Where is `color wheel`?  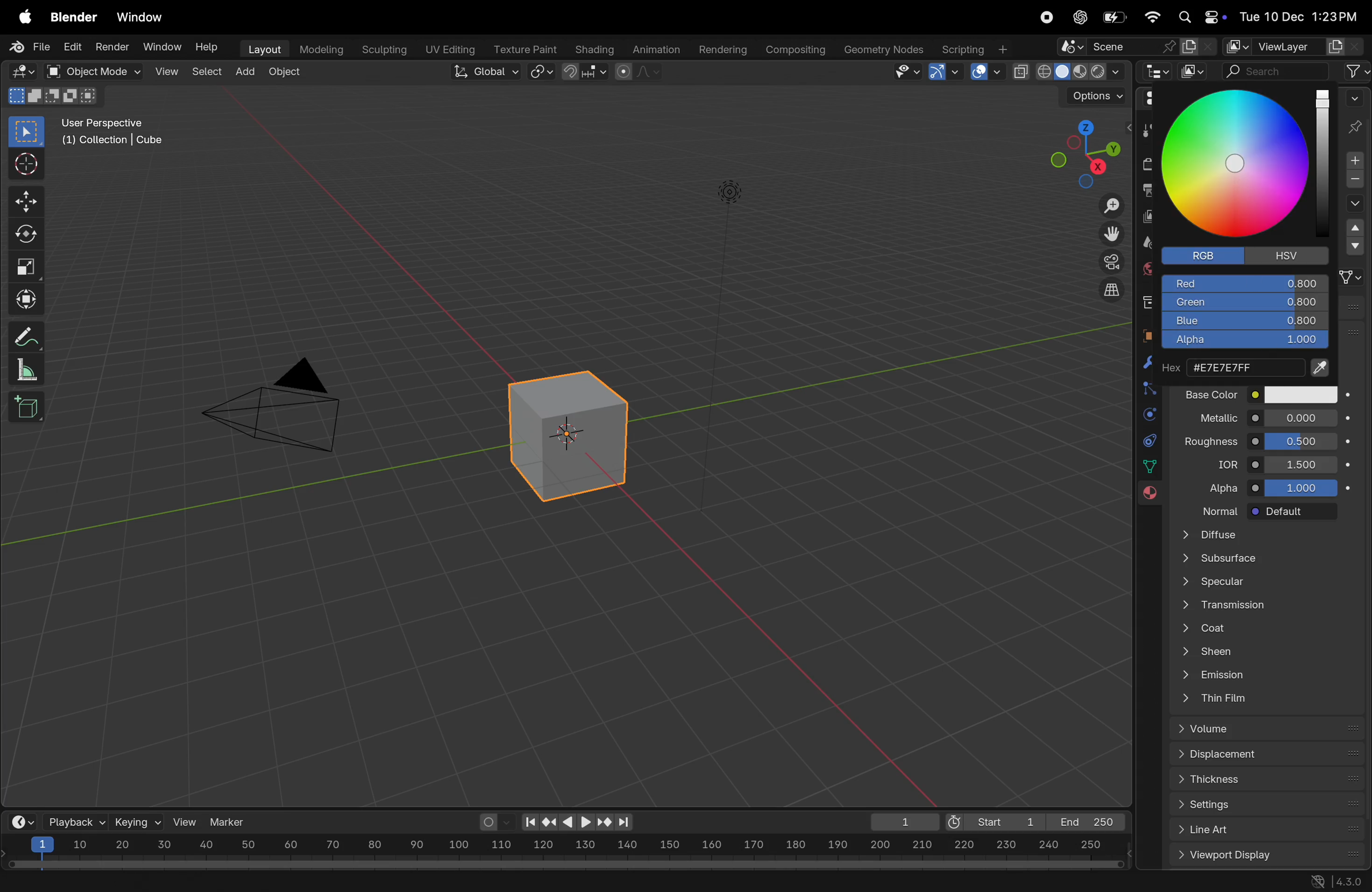 color wheel is located at coordinates (1237, 163).